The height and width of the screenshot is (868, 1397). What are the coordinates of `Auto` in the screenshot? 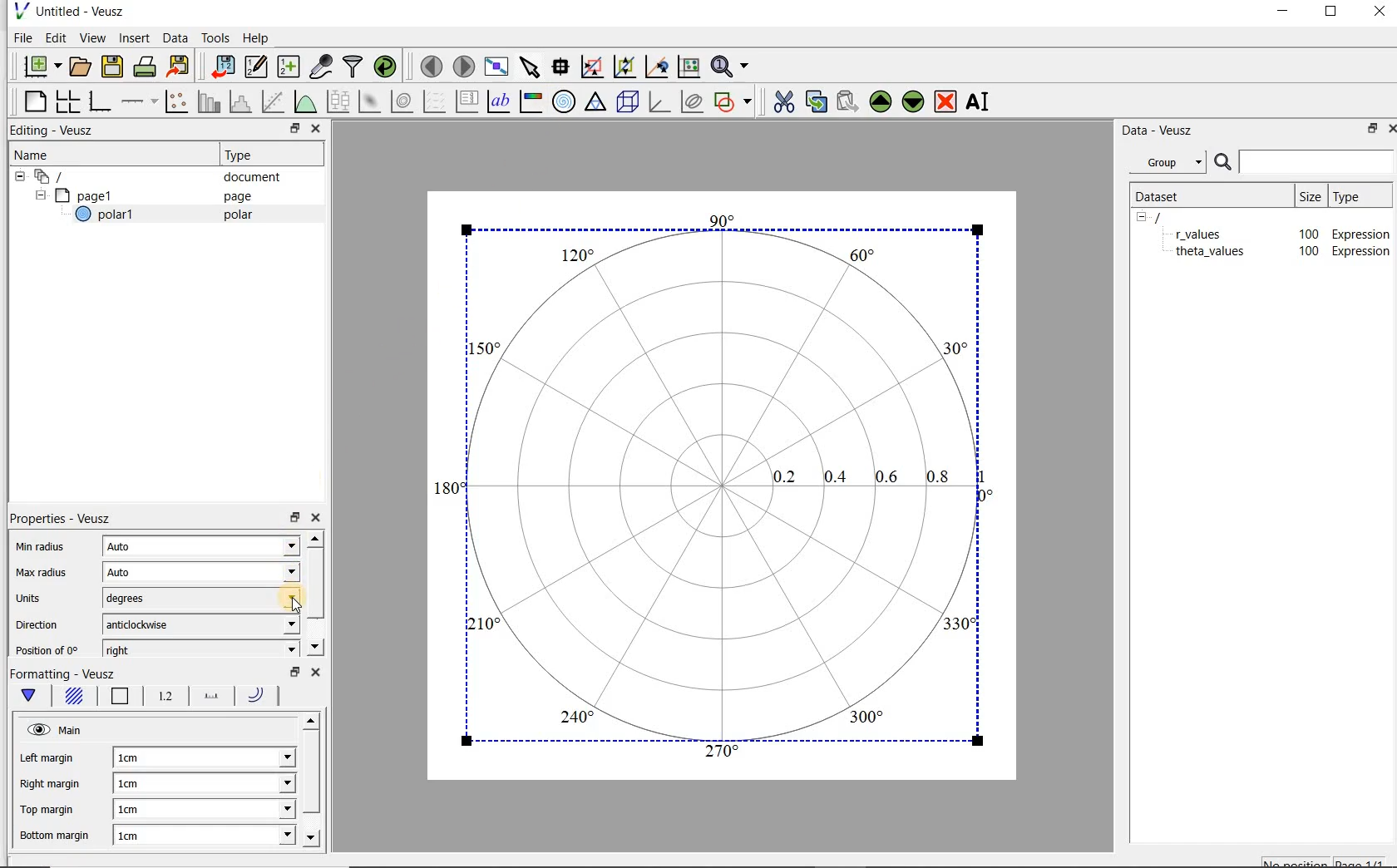 It's located at (136, 572).